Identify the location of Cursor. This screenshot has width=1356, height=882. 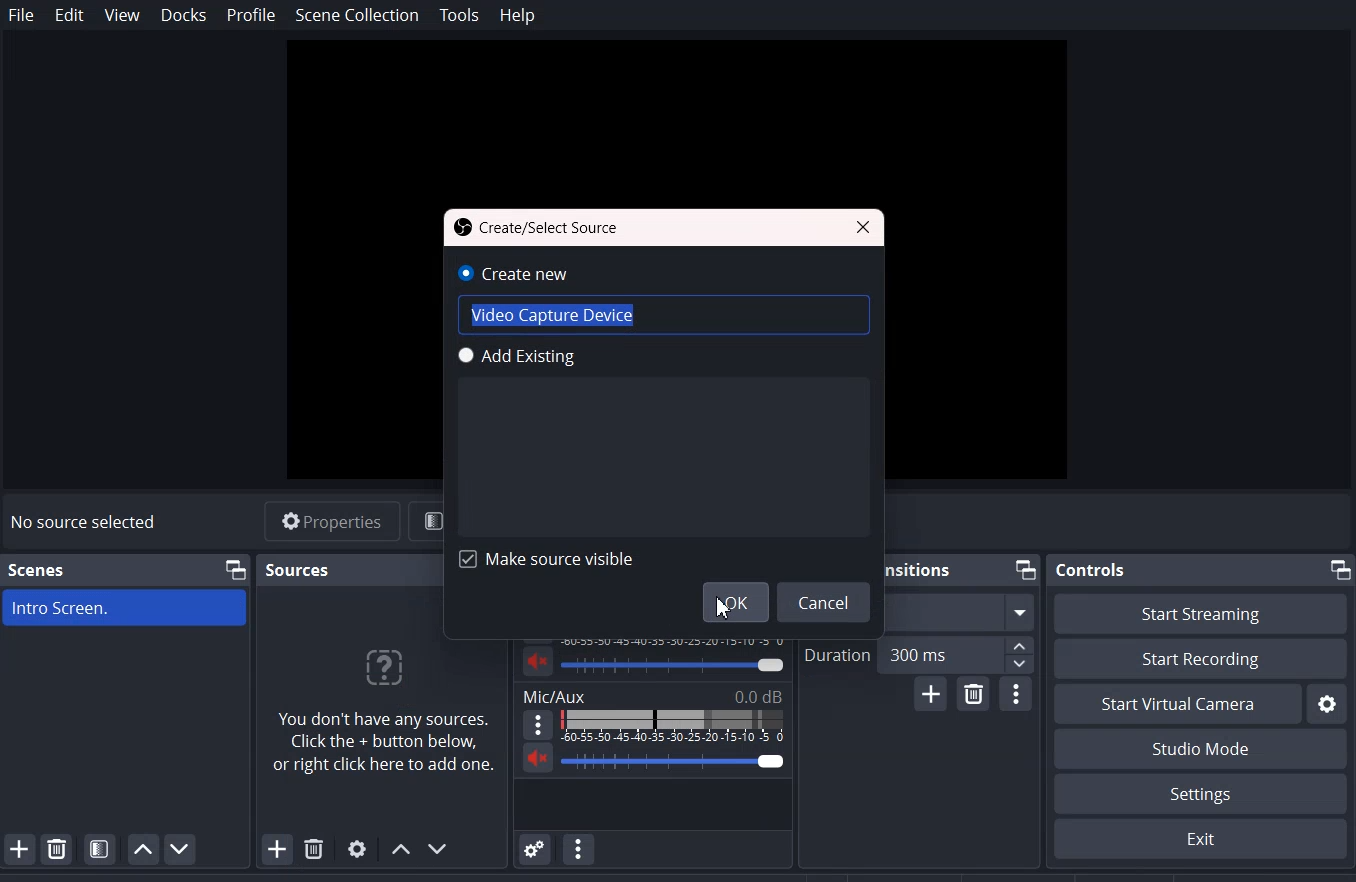
(726, 606).